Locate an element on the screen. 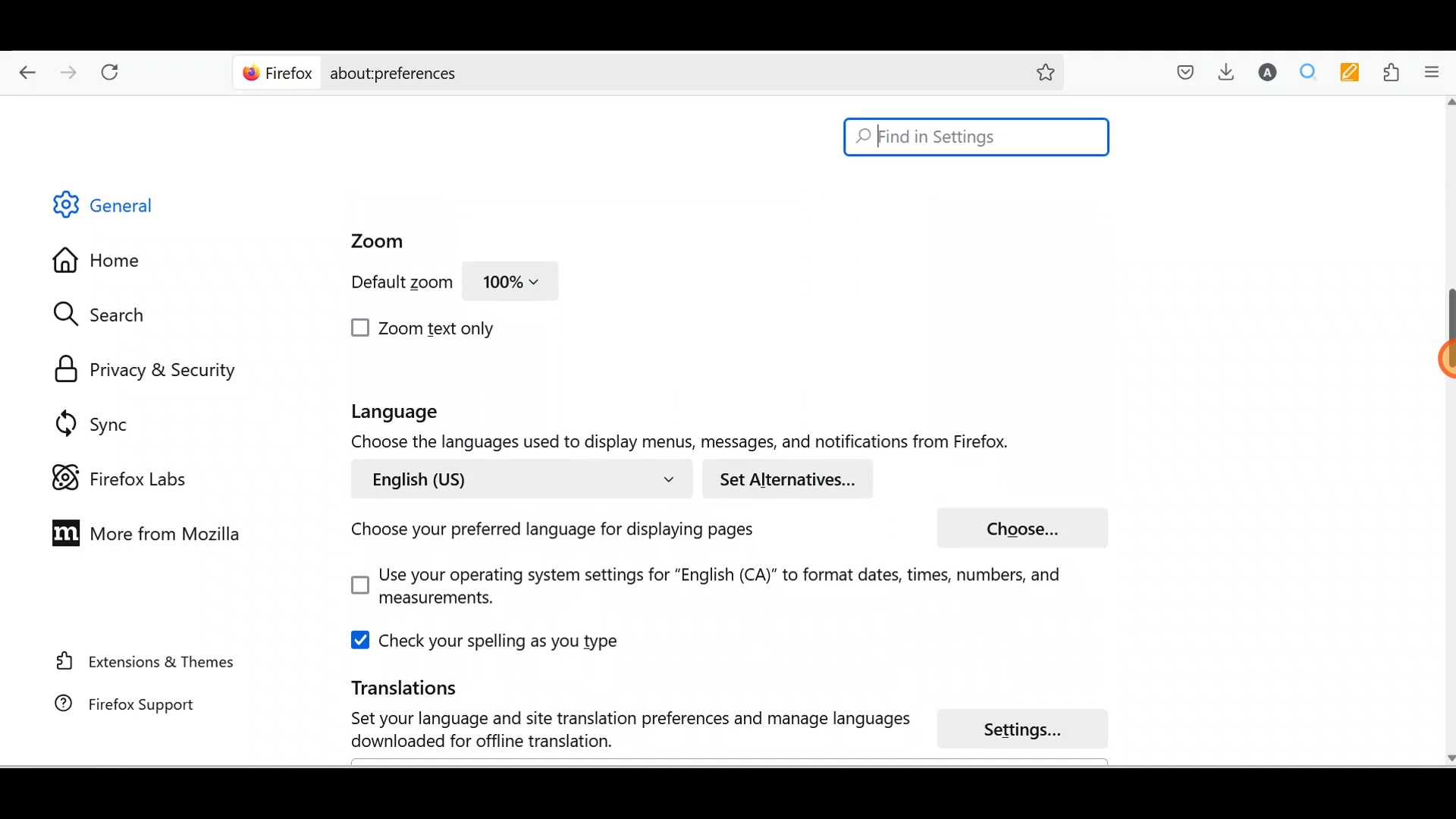 The image size is (1456, 819). Go back one page is located at coordinates (21, 68).